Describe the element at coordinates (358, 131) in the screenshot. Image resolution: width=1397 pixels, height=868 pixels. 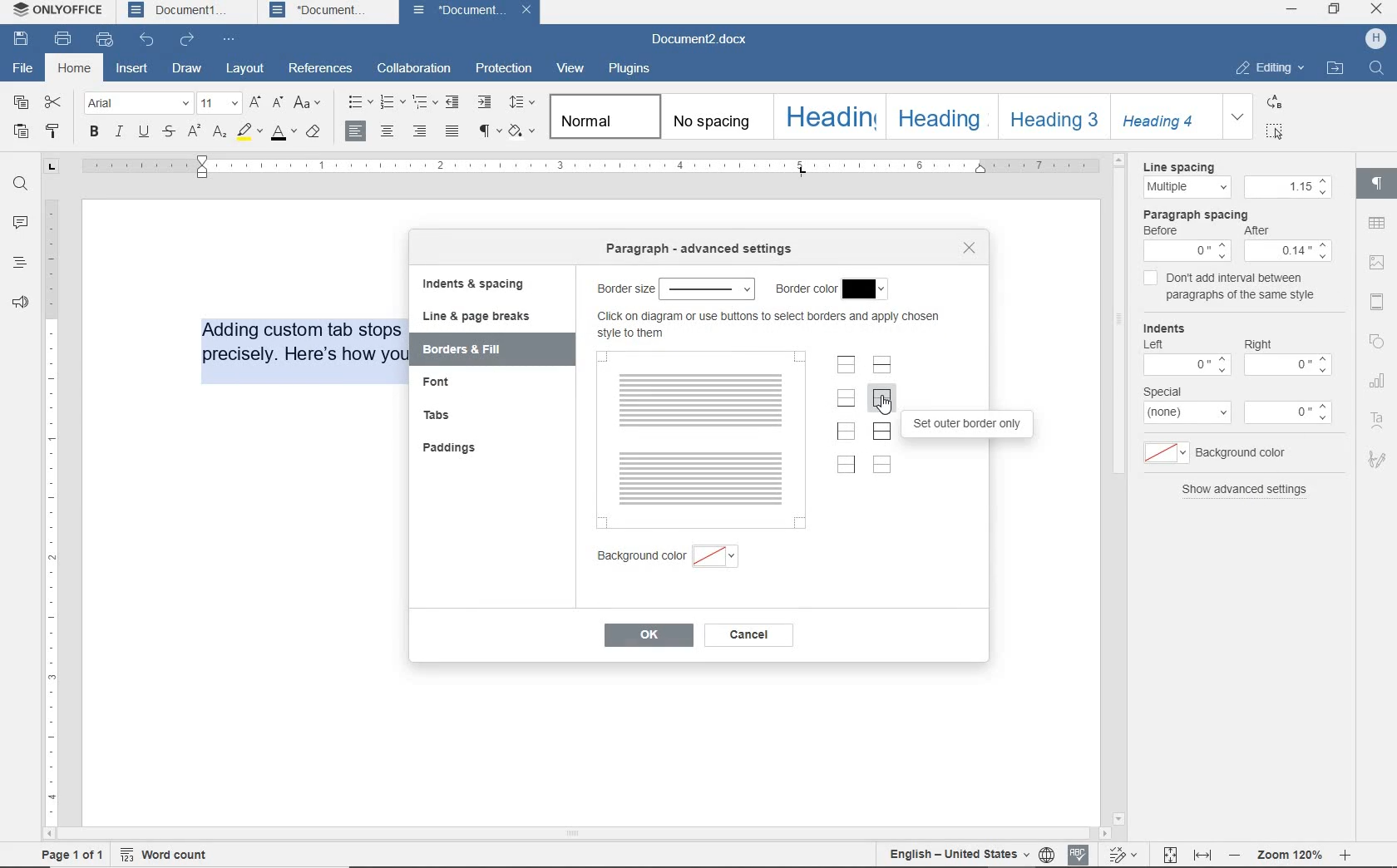
I see `align right` at that location.